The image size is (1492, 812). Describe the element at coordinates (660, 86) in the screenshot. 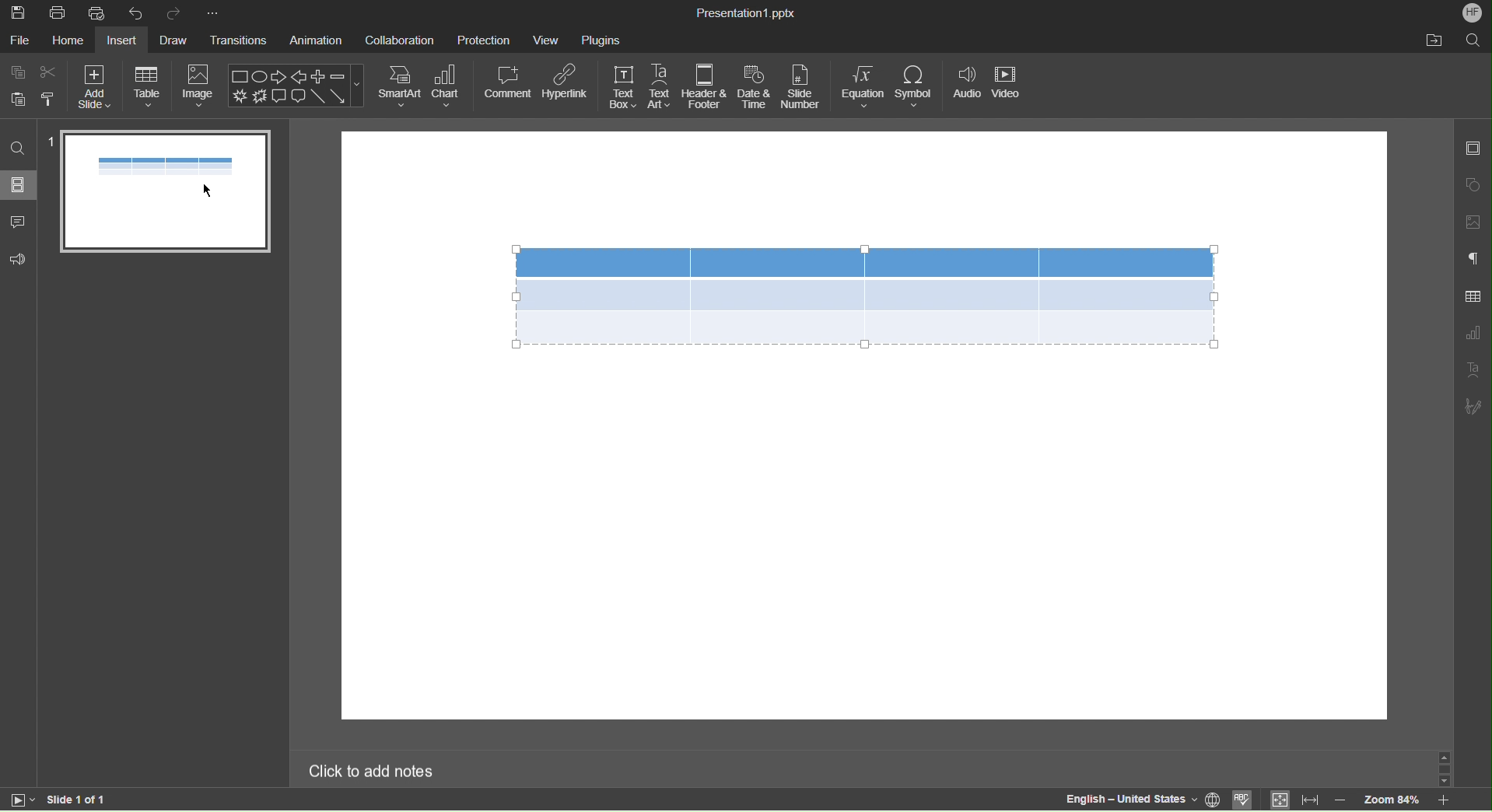

I see `Text Art` at that location.